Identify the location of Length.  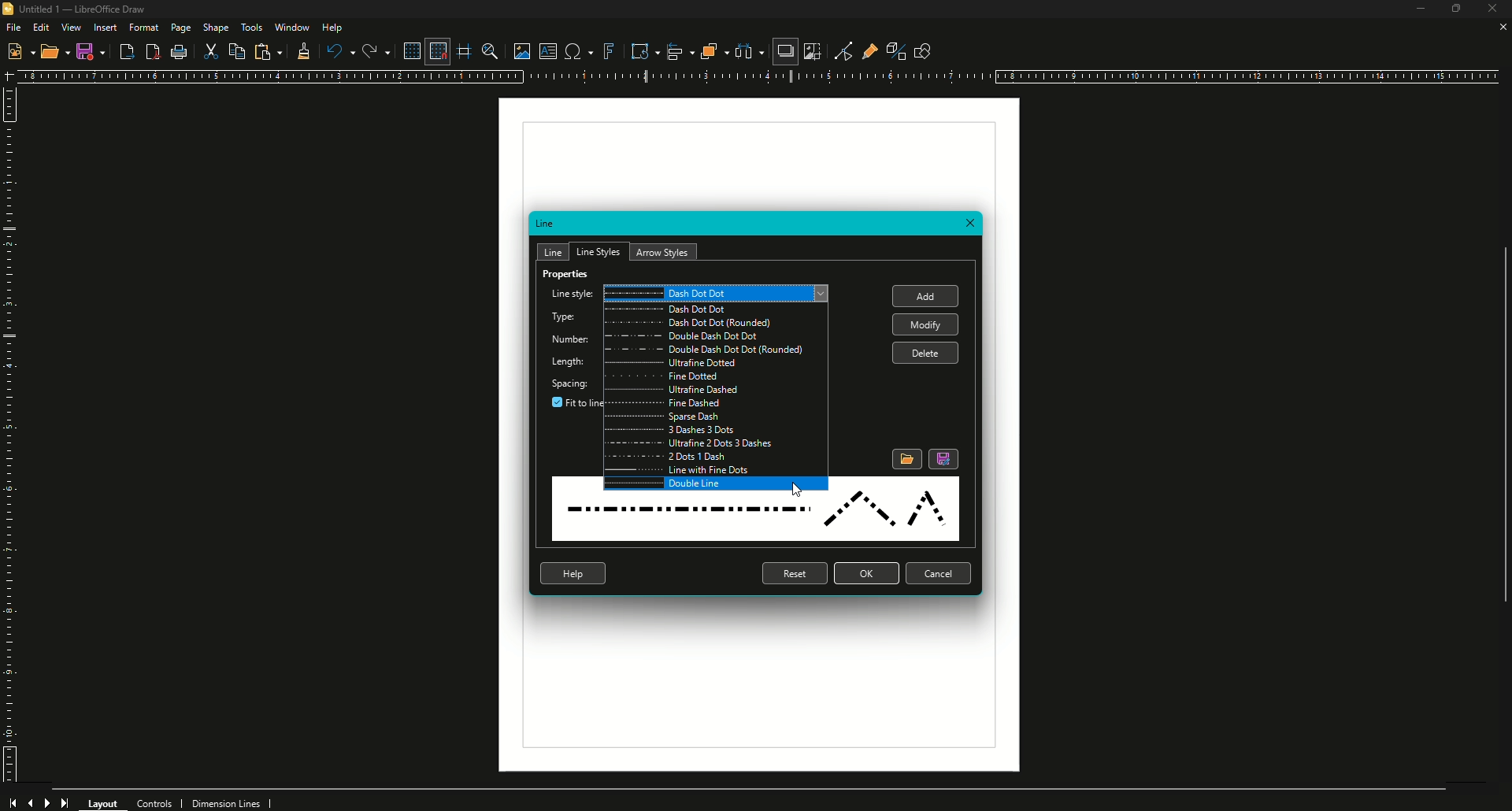
(573, 363).